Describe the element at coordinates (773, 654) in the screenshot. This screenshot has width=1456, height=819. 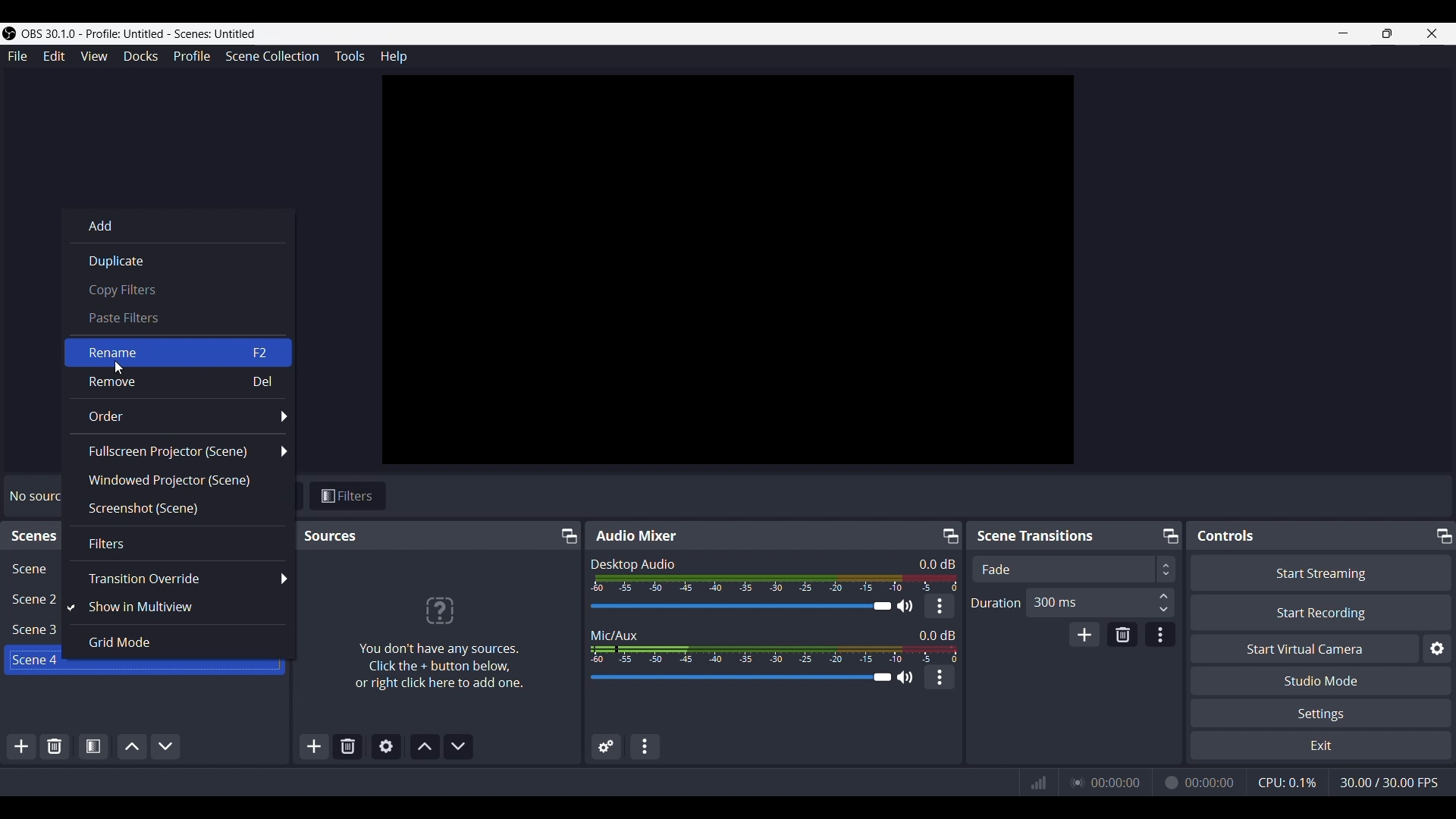
I see `Volume Meter` at that location.